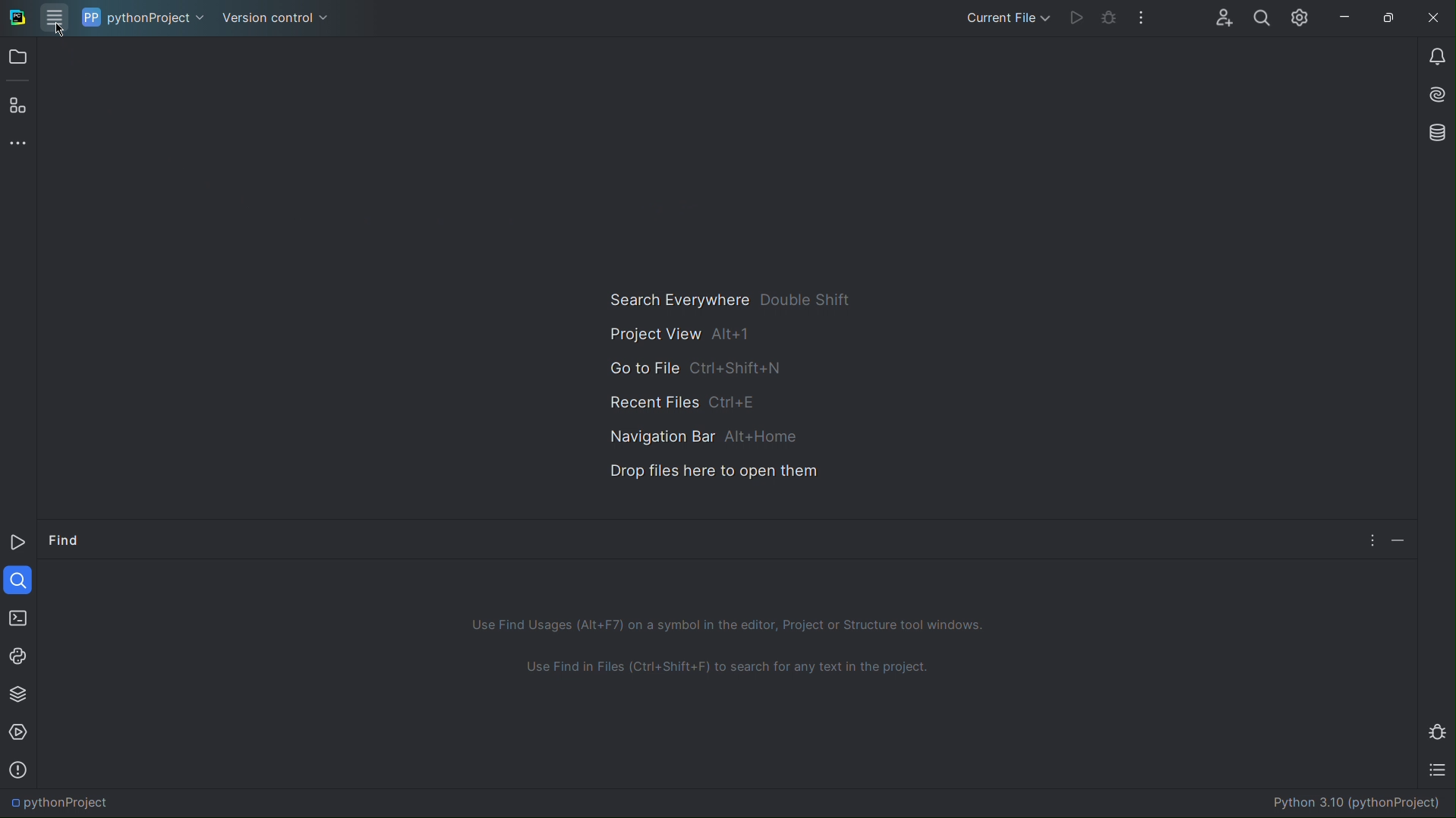 The width and height of the screenshot is (1456, 818). Describe the element at coordinates (1434, 19) in the screenshot. I see `Close` at that location.